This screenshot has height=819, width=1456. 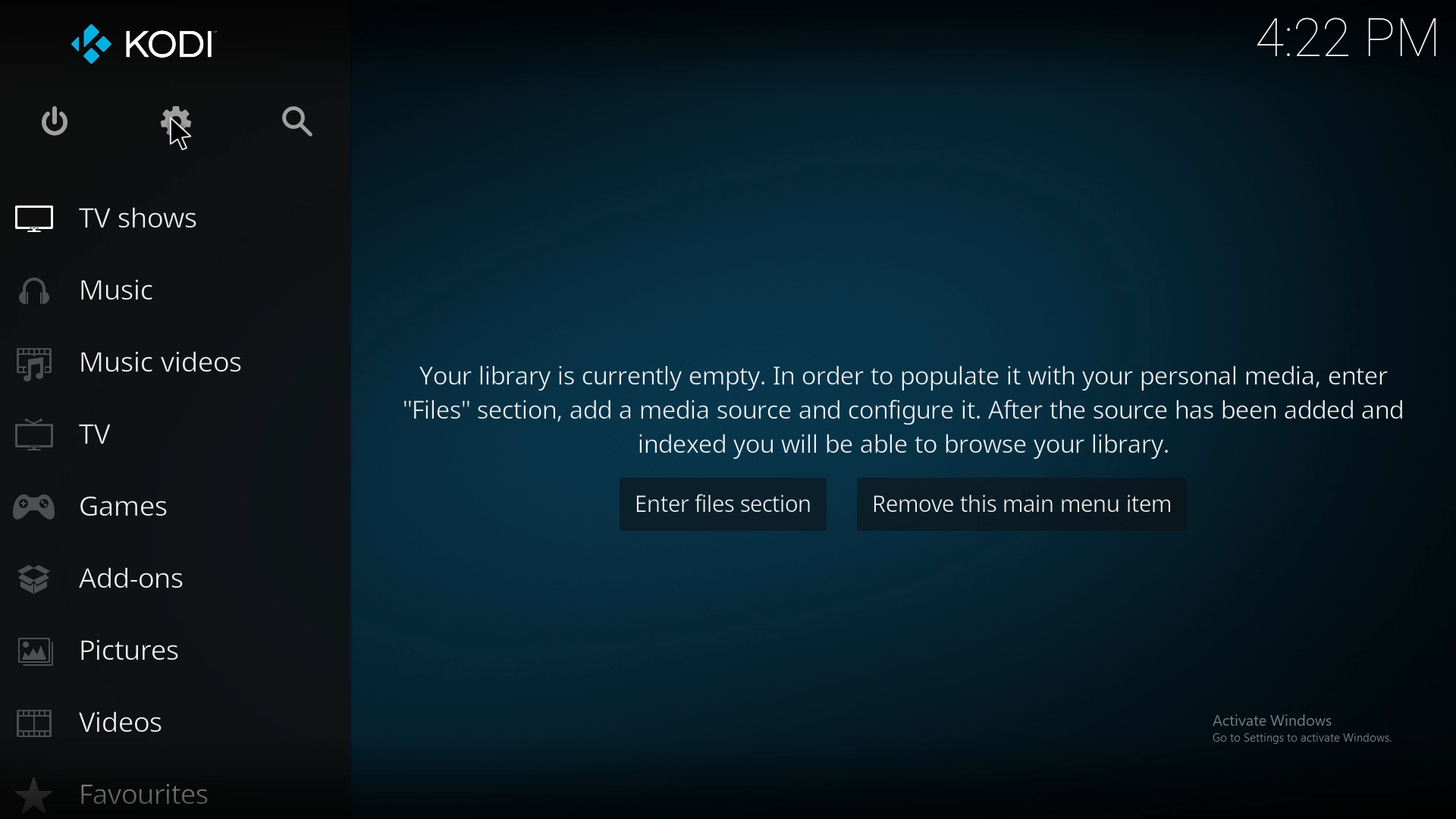 I want to click on search, so click(x=294, y=124).